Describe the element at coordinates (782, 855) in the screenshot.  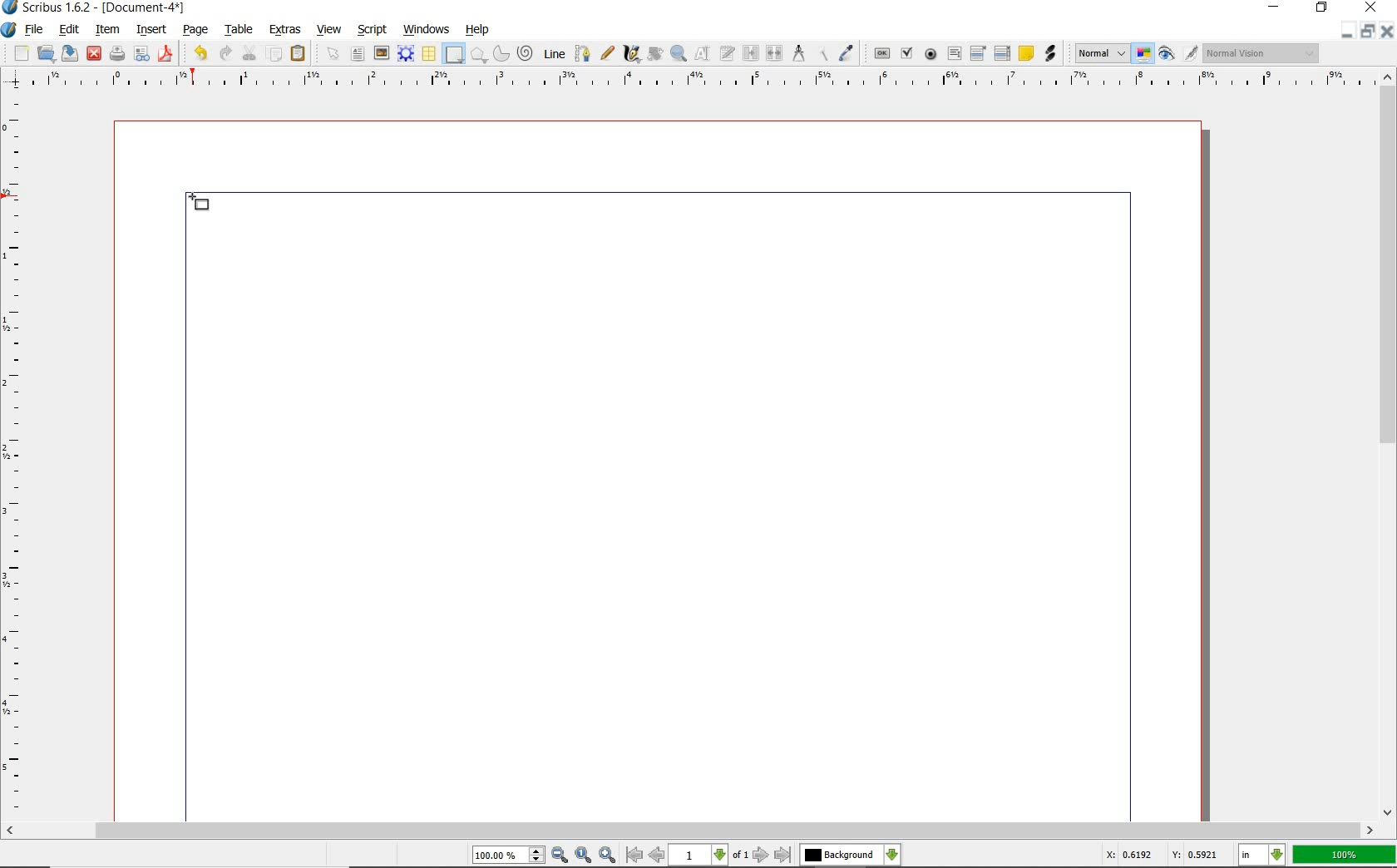
I see `go to last page` at that location.